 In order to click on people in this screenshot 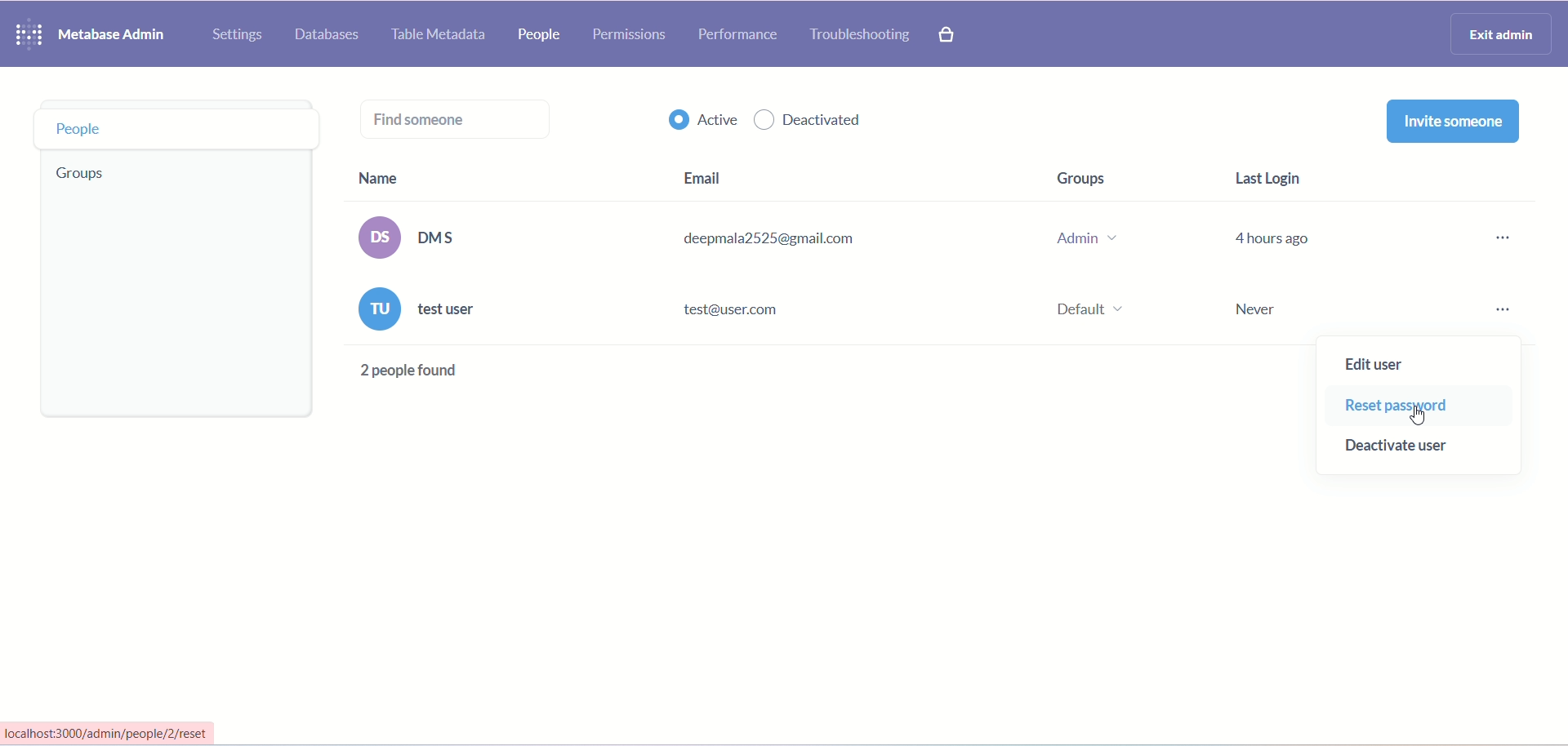, I will do `click(546, 34)`.